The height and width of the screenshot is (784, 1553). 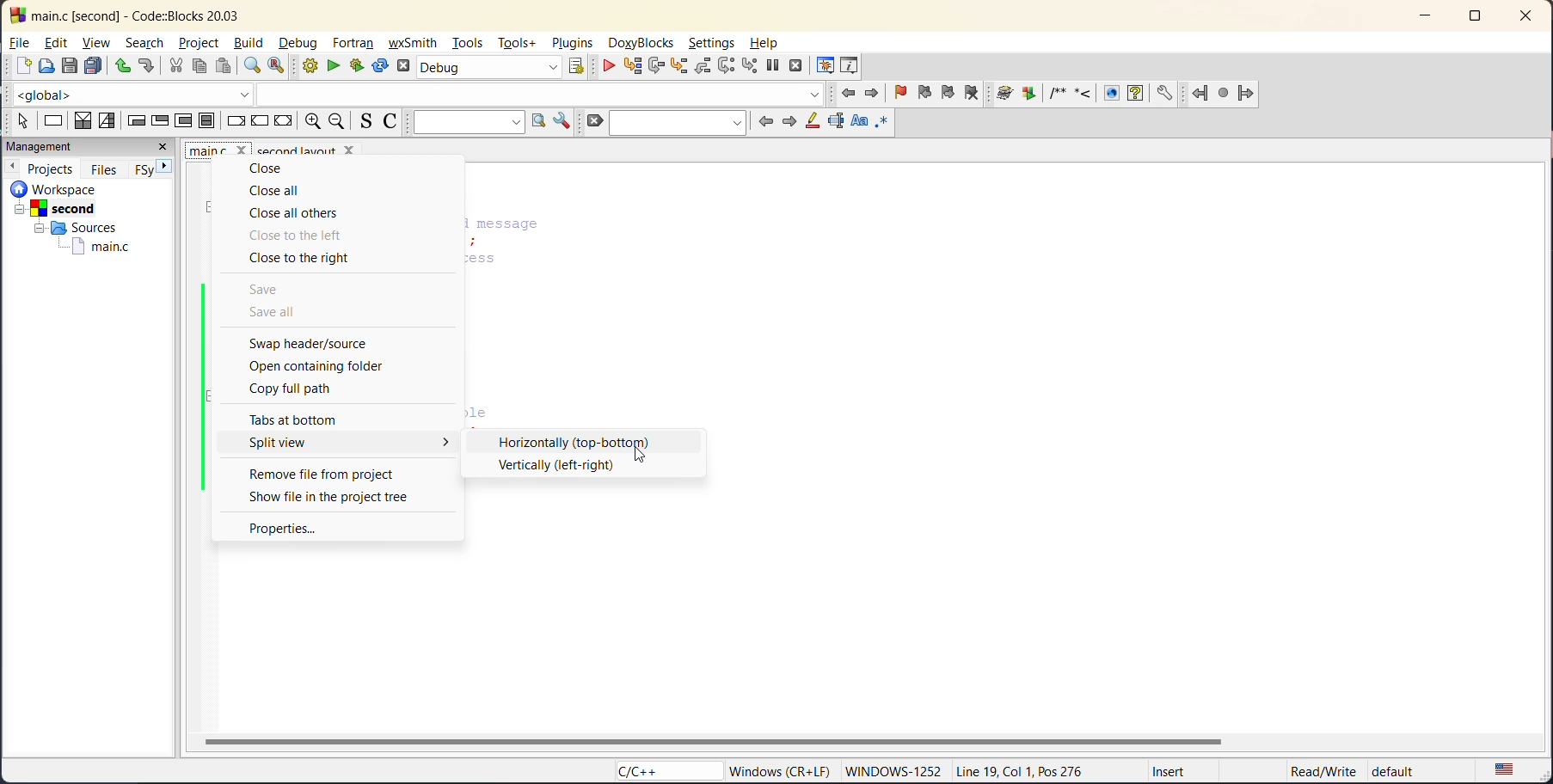 What do you see at coordinates (379, 67) in the screenshot?
I see `rebuild` at bounding box center [379, 67].